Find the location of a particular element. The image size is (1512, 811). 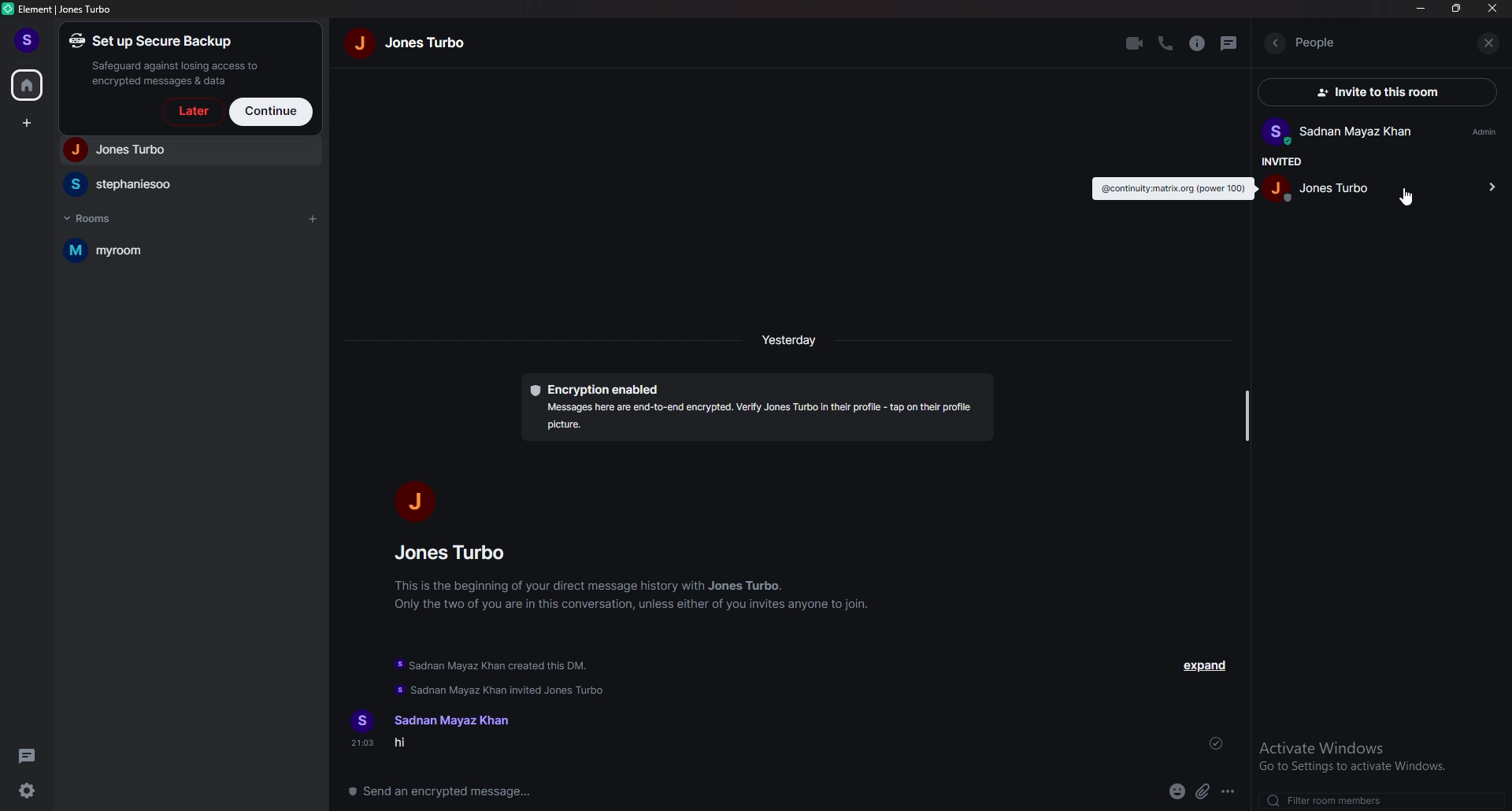

close info pane is located at coordinates (1491, 44).